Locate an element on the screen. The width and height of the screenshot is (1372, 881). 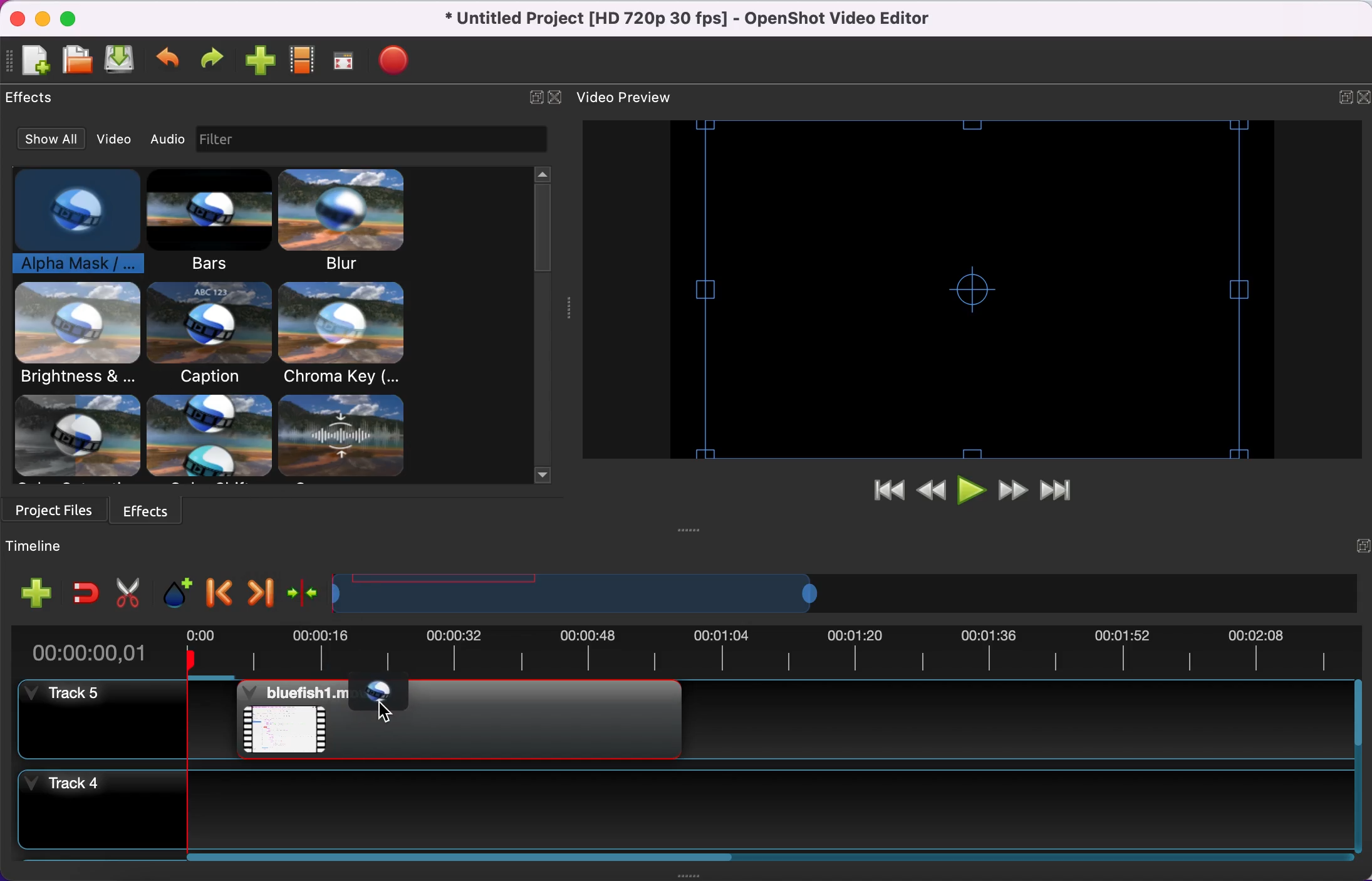
save file is located at coordinates (123, 62).